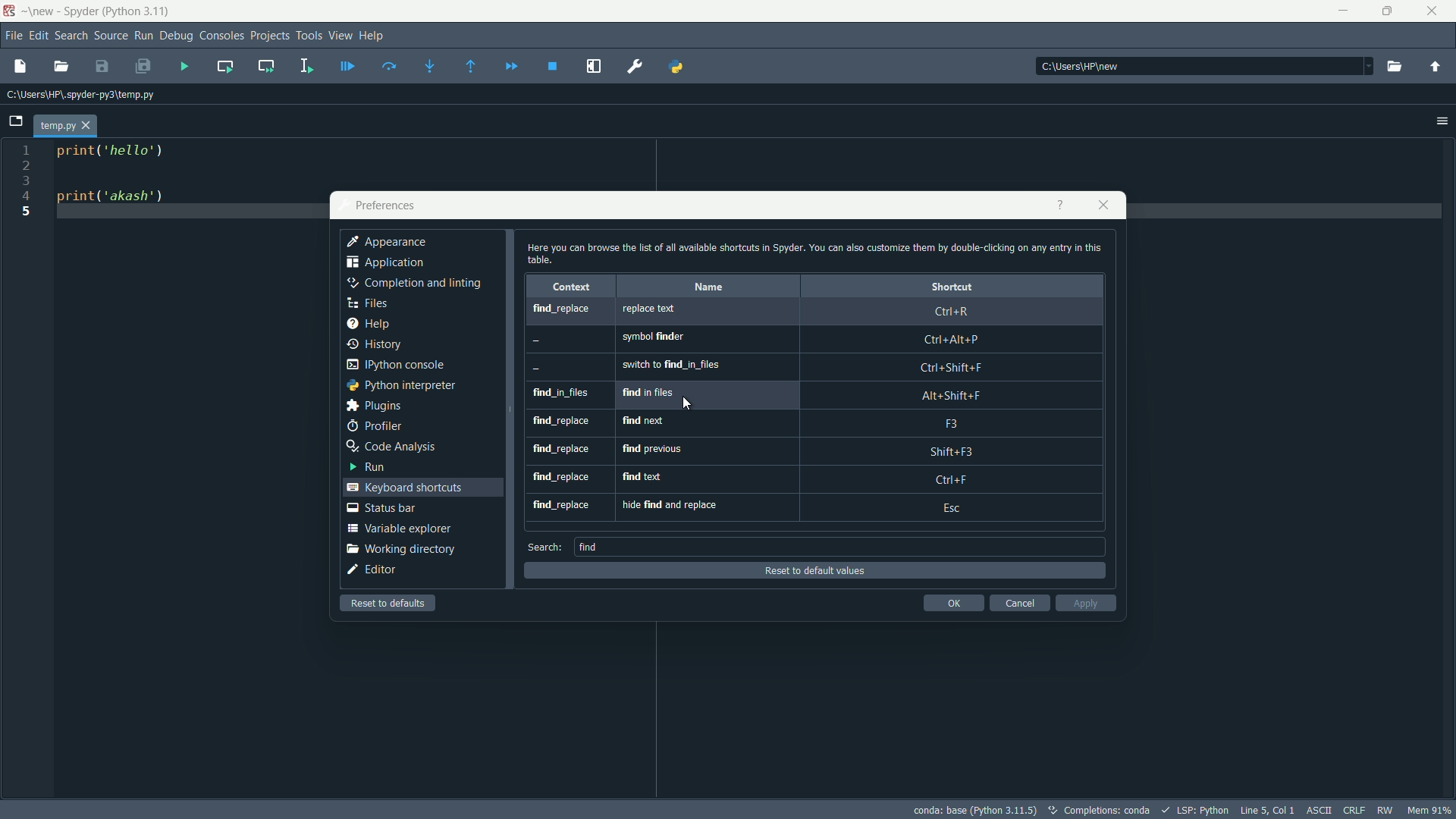  Describe the element at coordinates (1103, 206) in the screenshot. I see `close app` at that location.